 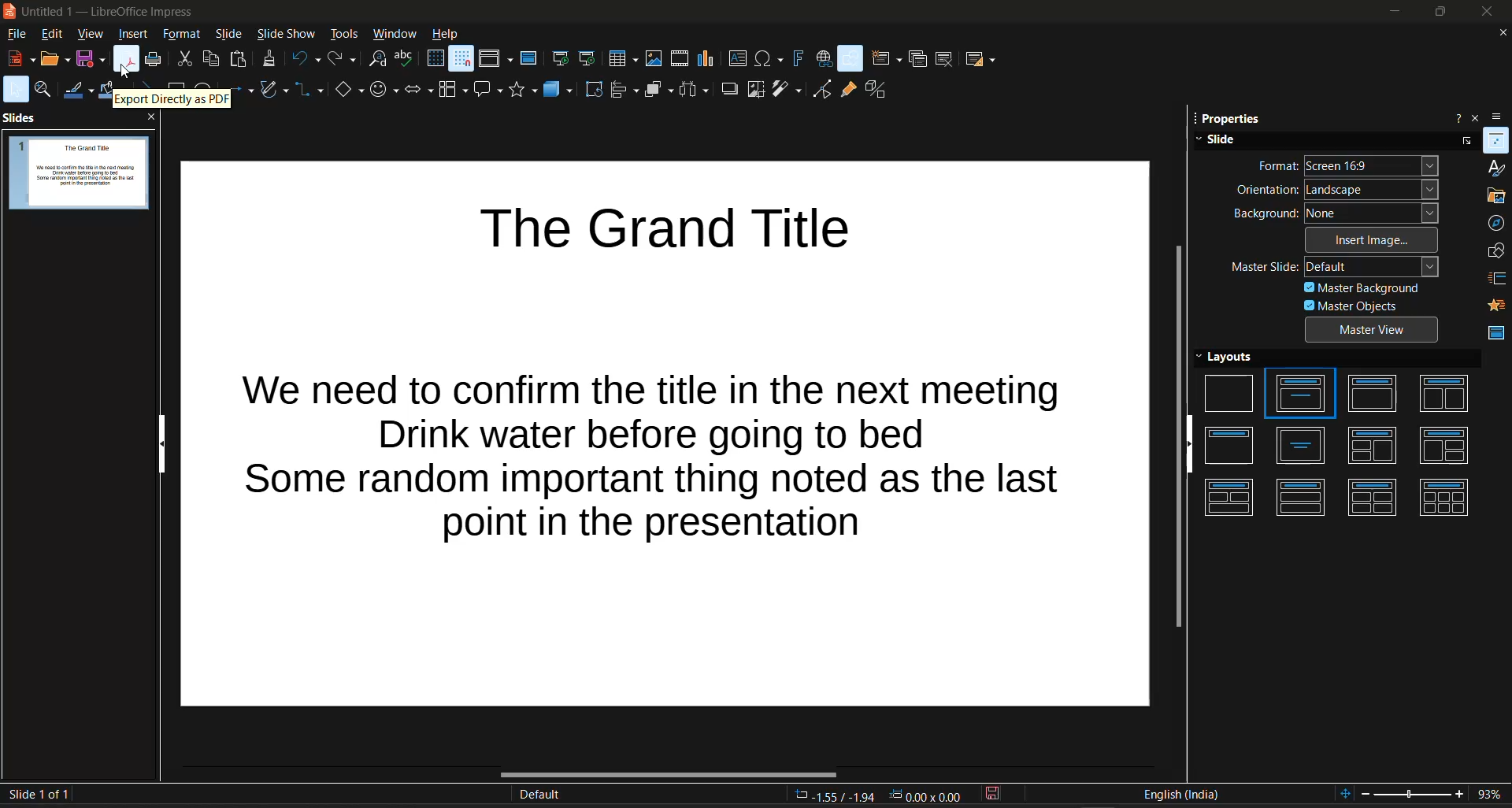 I want to click on duplicate slide, so click(x=917, y=59).